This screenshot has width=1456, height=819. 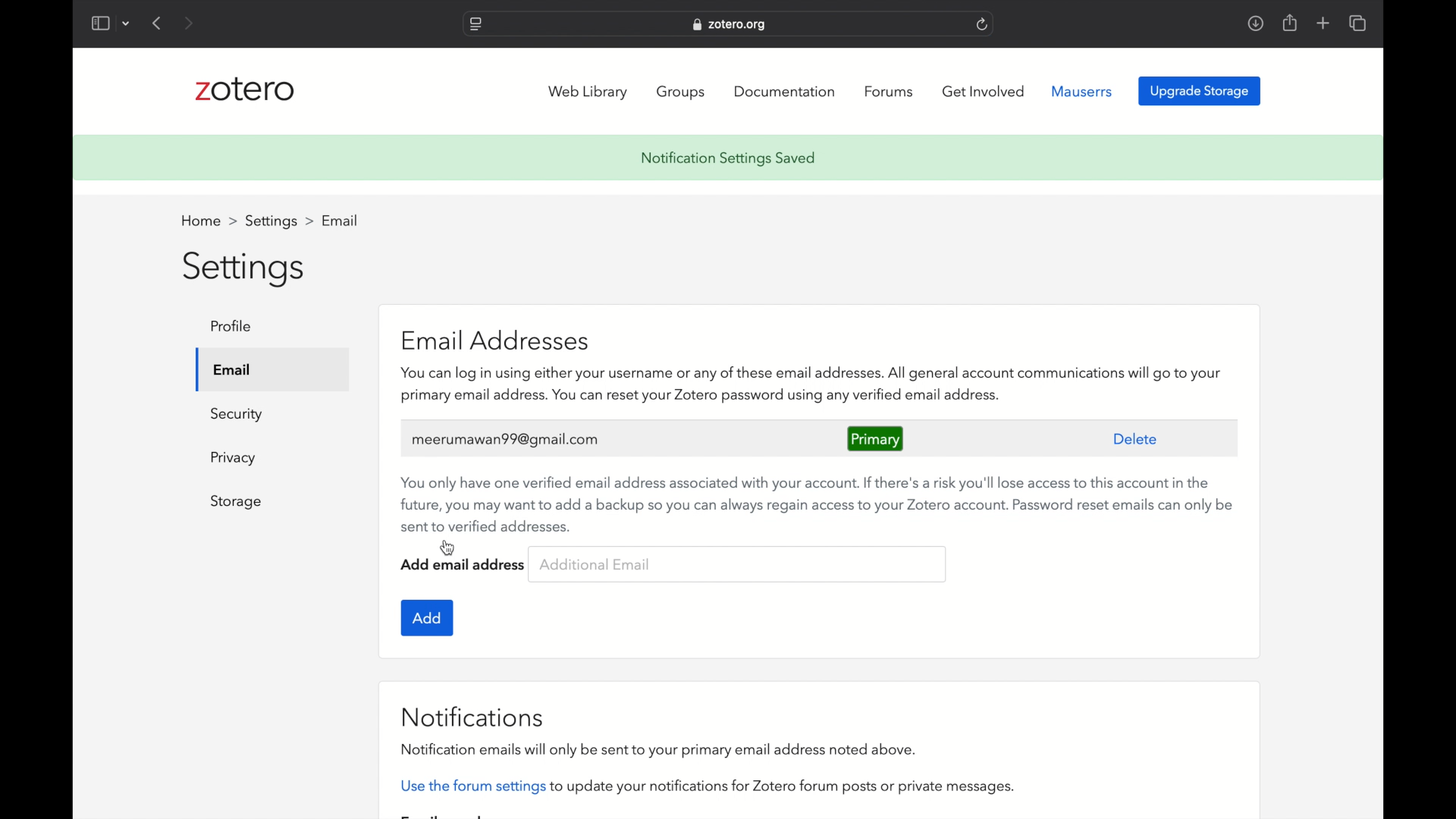 I want to click on add, so click(x=427, y=618).